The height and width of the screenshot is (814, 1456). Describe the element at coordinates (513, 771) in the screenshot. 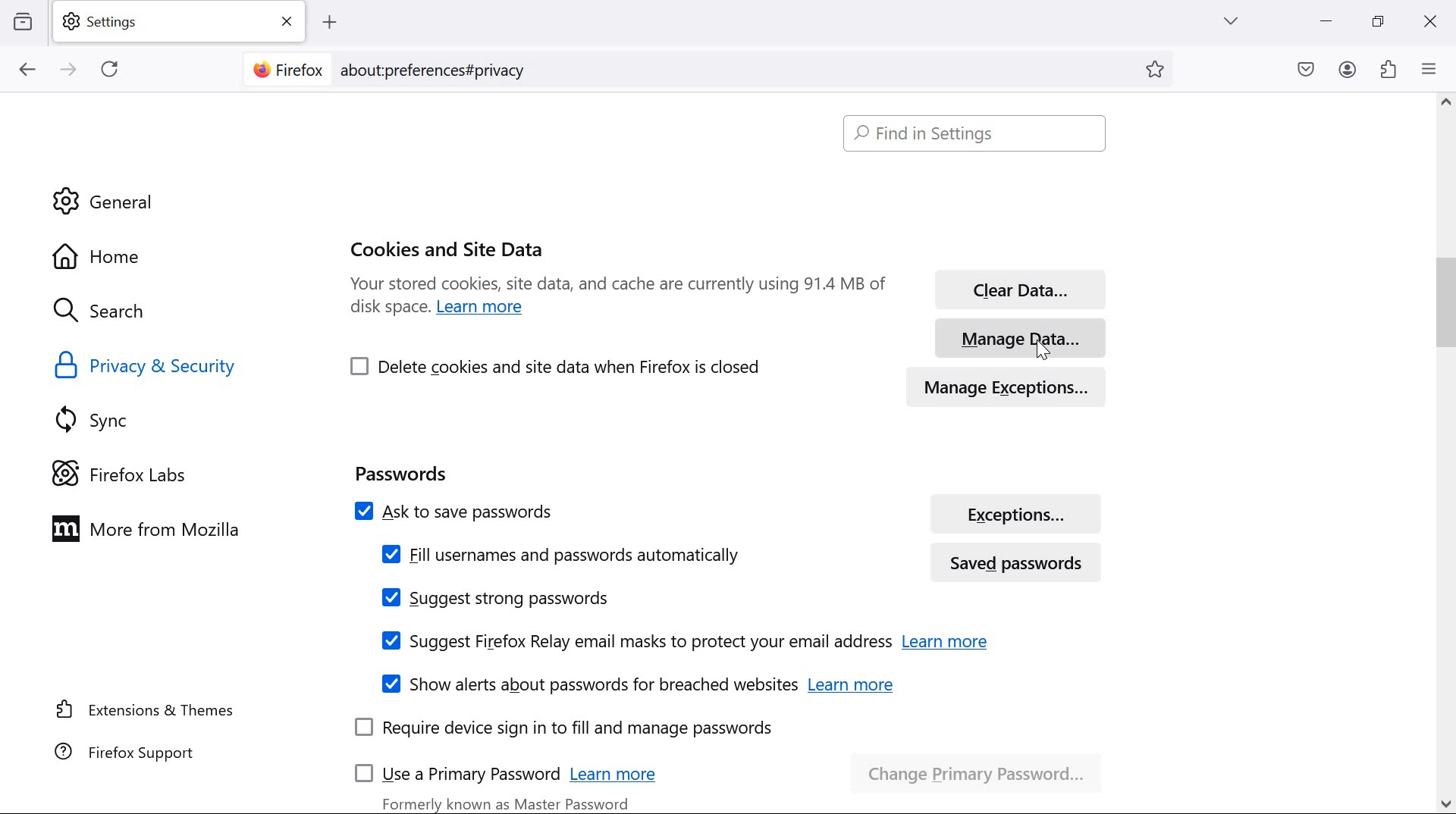

I see `Use a Primary Password Learn more` at that location.